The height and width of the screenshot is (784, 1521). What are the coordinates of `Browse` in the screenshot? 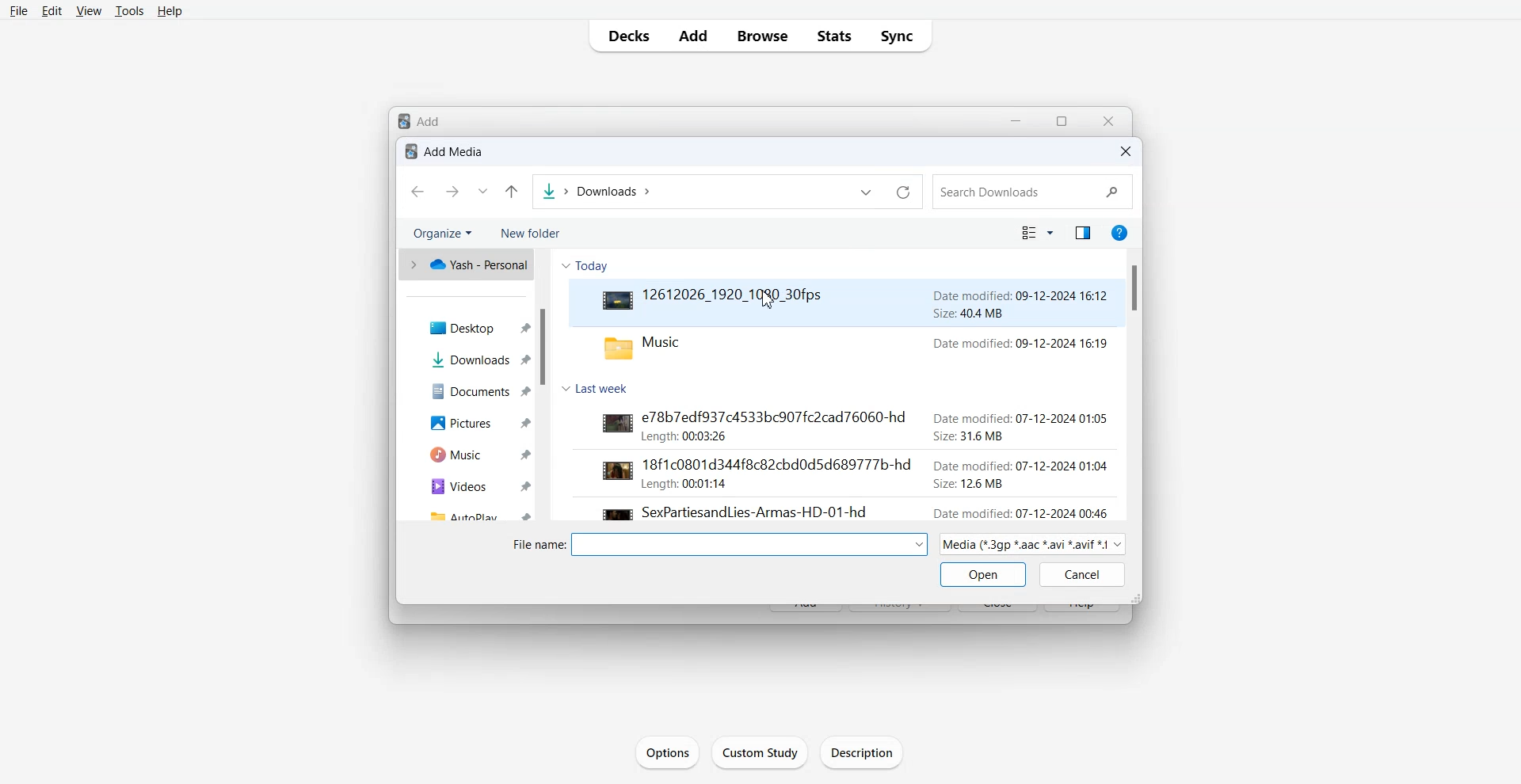 It's located at (764, 36).